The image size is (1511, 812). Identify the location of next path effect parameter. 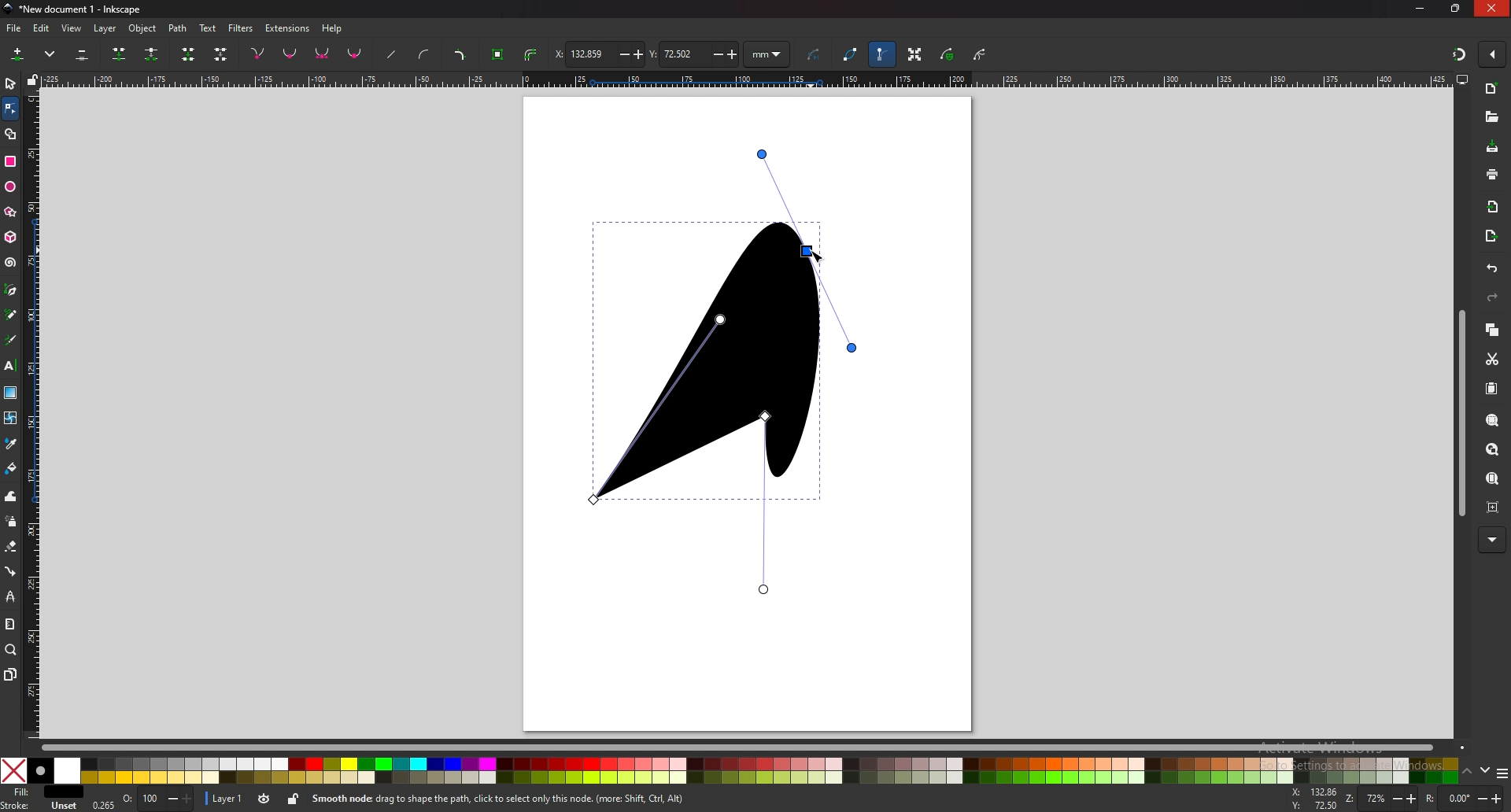
(815, 55).